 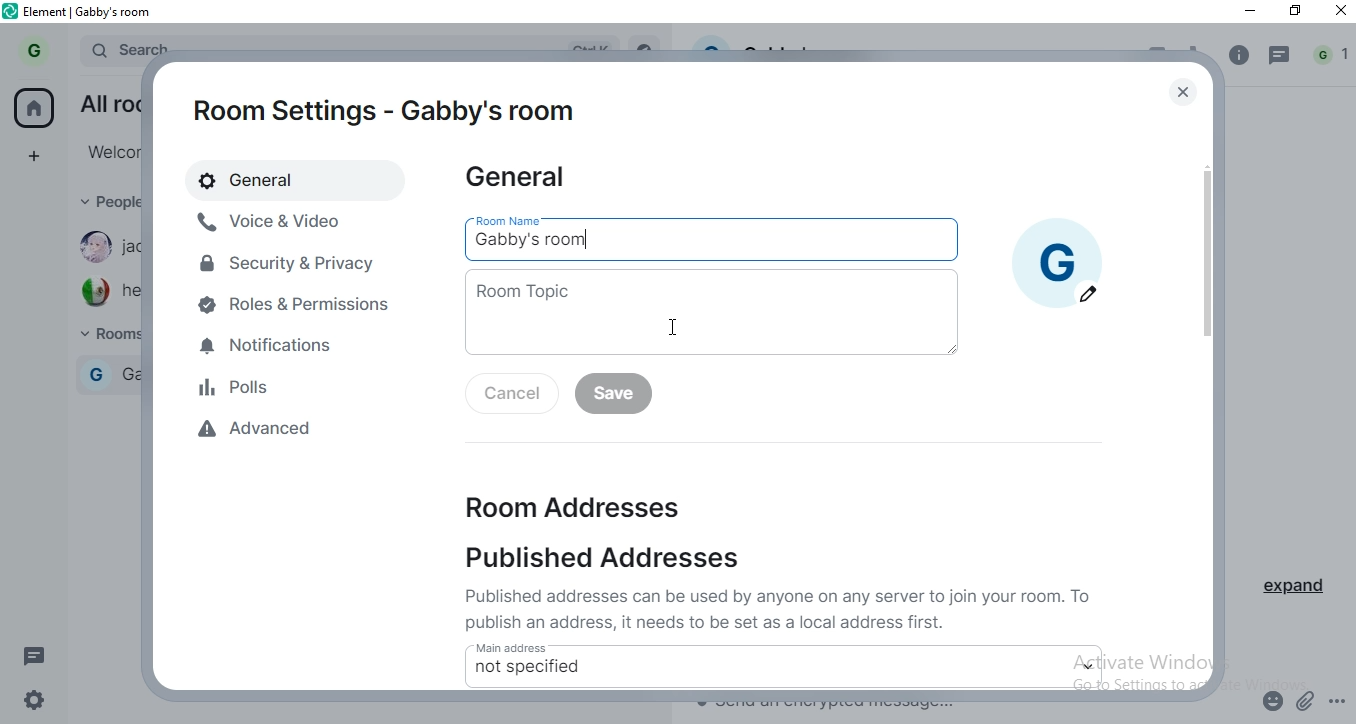 What do you see at coordinates (40, 156) in the screenshot?
I see `add space` at bounding box center [40, 156].